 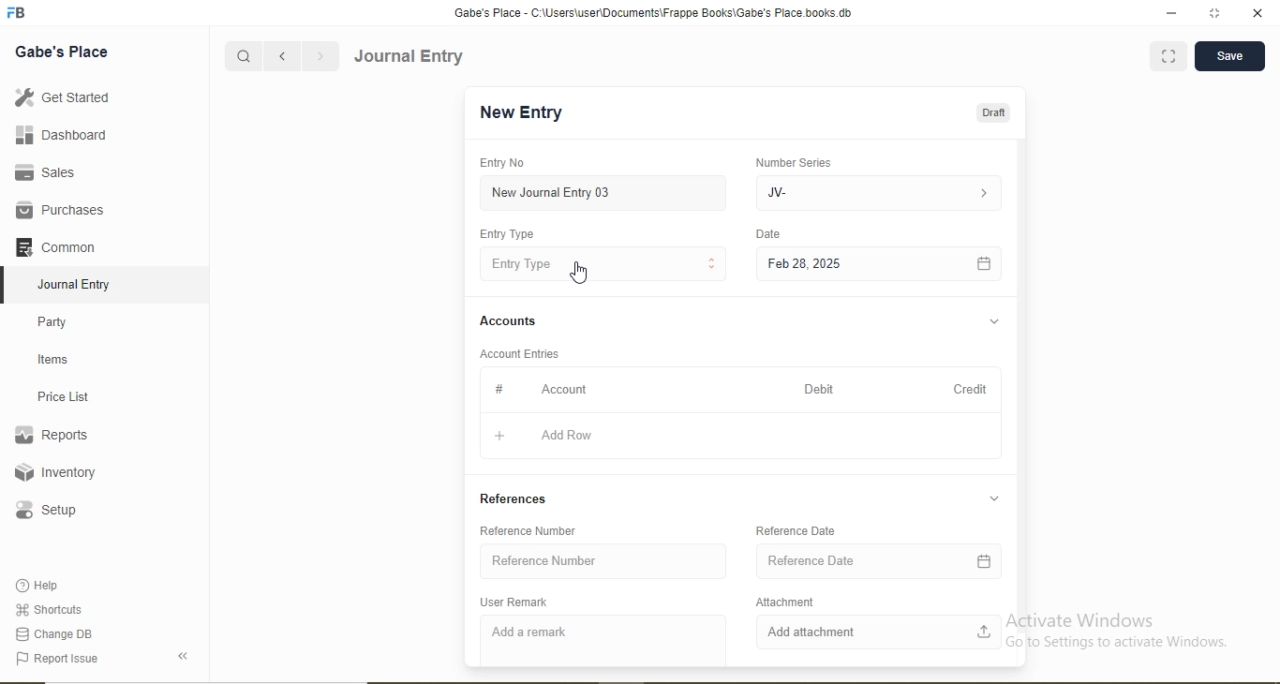 I want to click on Report Issue, so click(x=56, y=659).